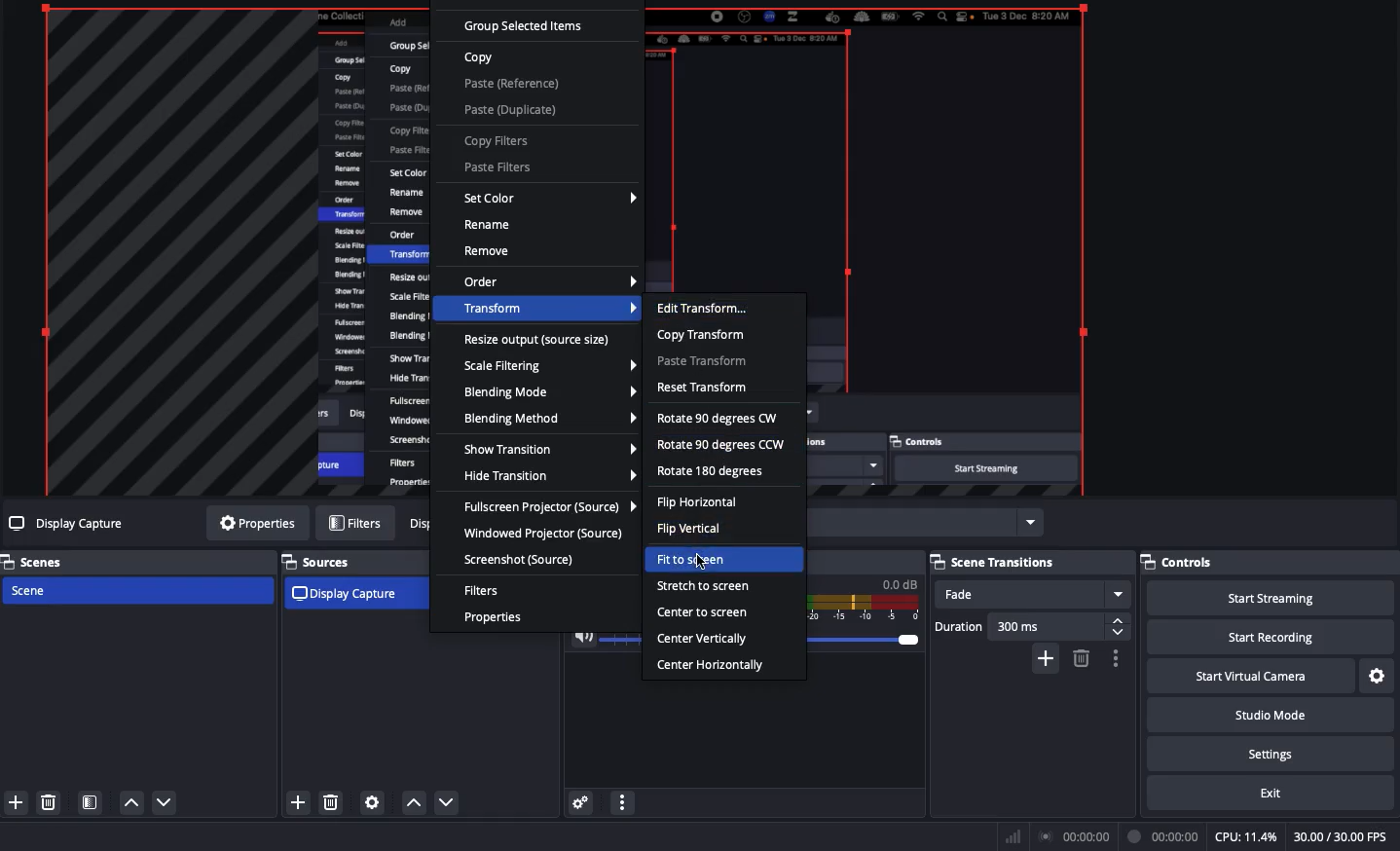  I want to click on Resize output, so click(539, 343).